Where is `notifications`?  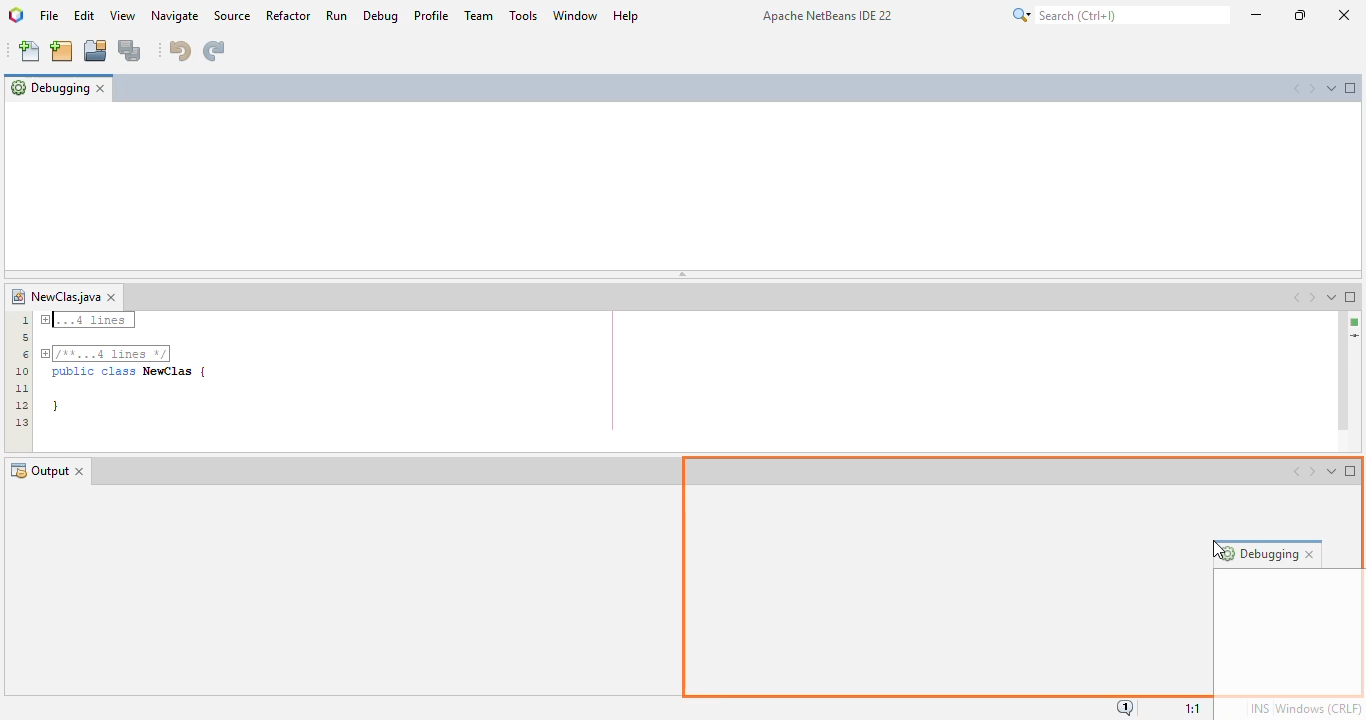
notifications is located at coordinates (1126, 707).